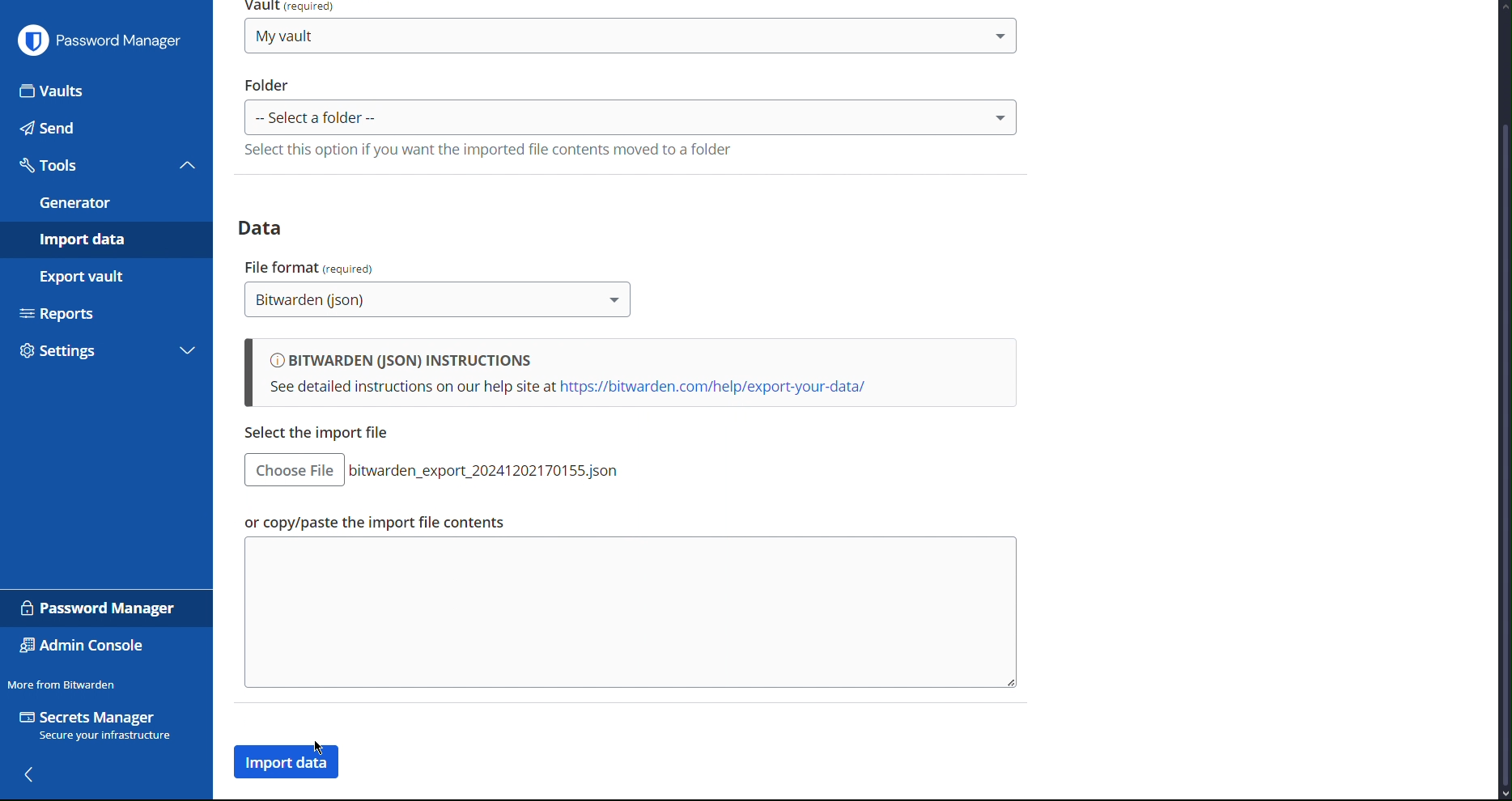  Describe the element at coordinates (321, 749) in the screenshot. I see `Cursor` at that location.